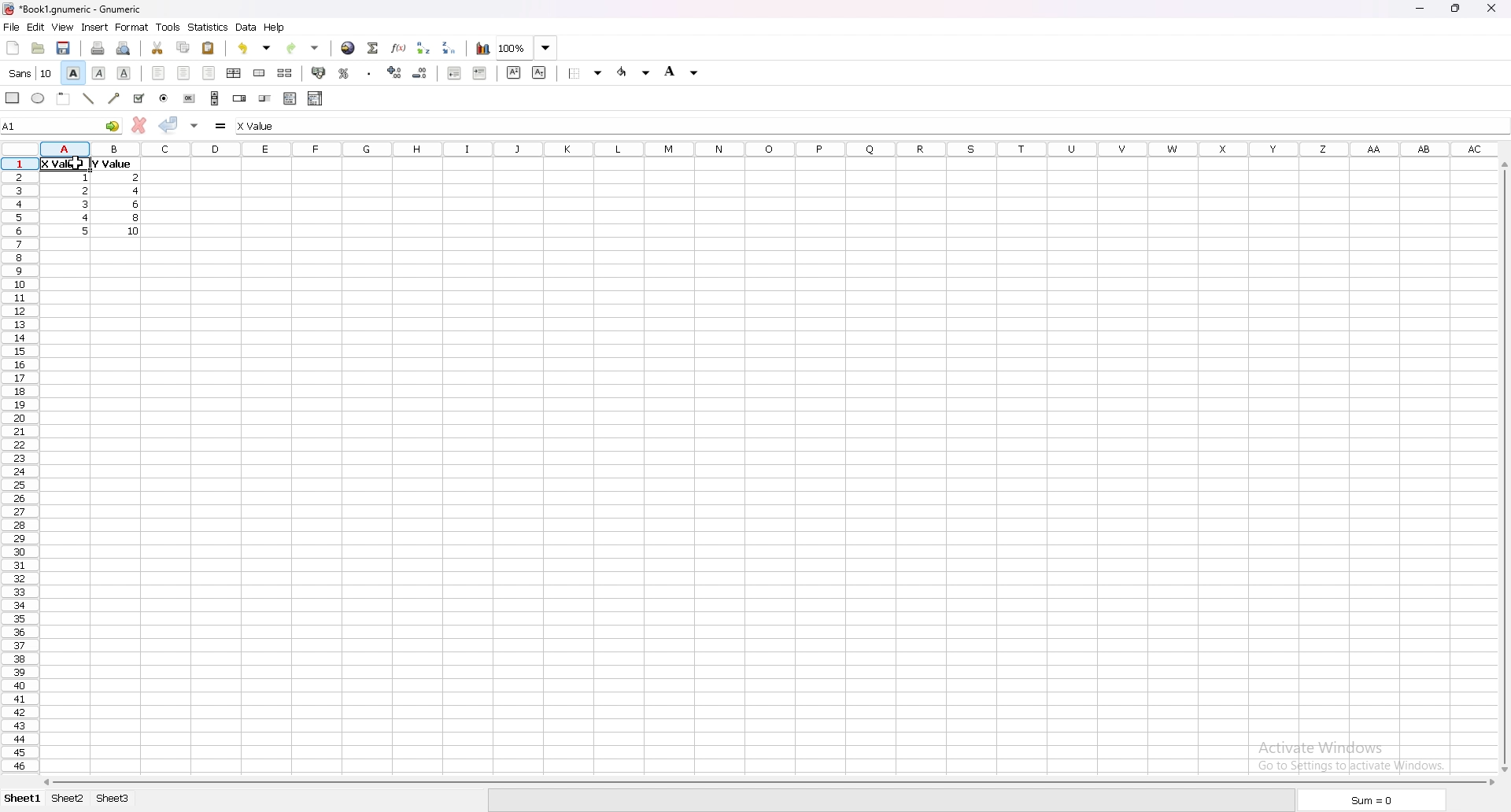  I want to click on resize, so click(1457, 9).